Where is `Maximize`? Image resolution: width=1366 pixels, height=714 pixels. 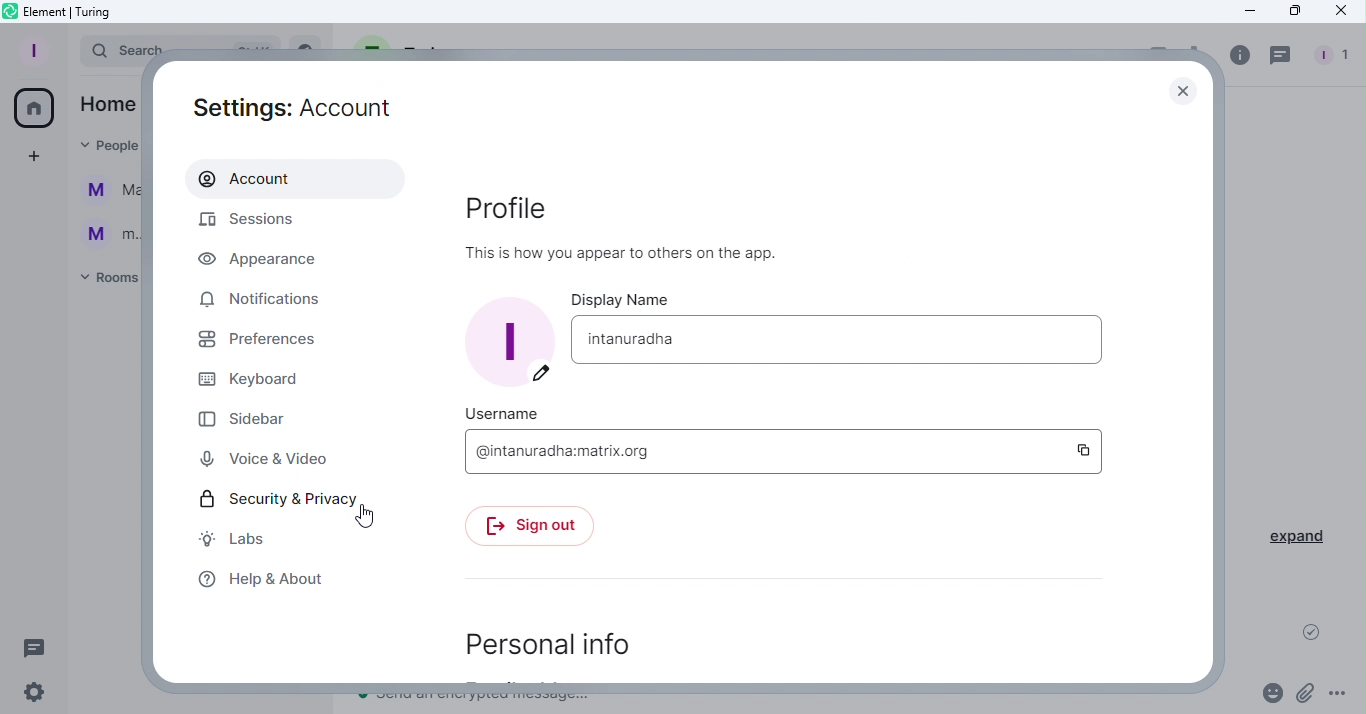 Maximize is located at coordinates (1292, 11).